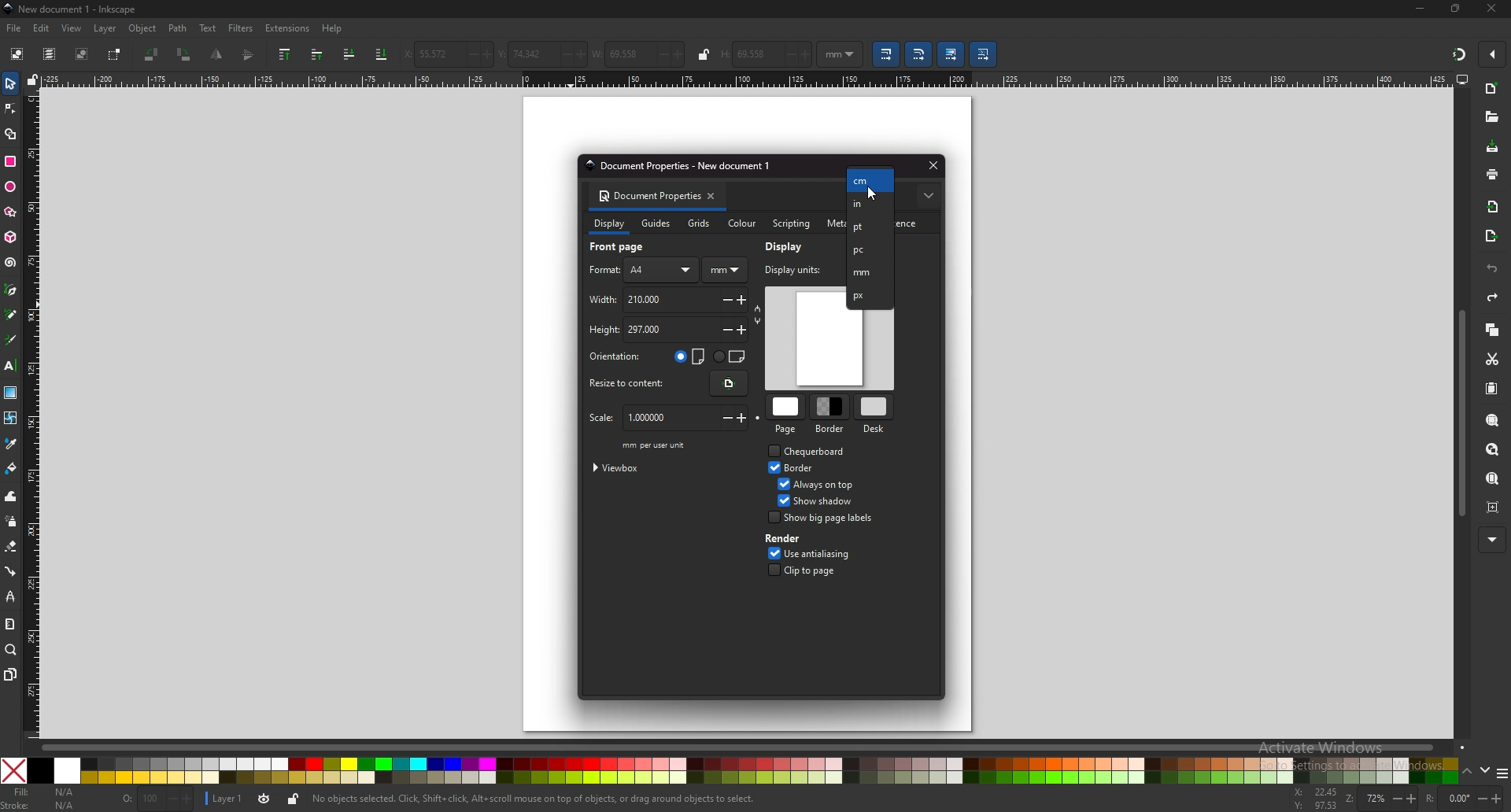 The image size is (1511, 812). I want to click on mm, so click(830, 54).